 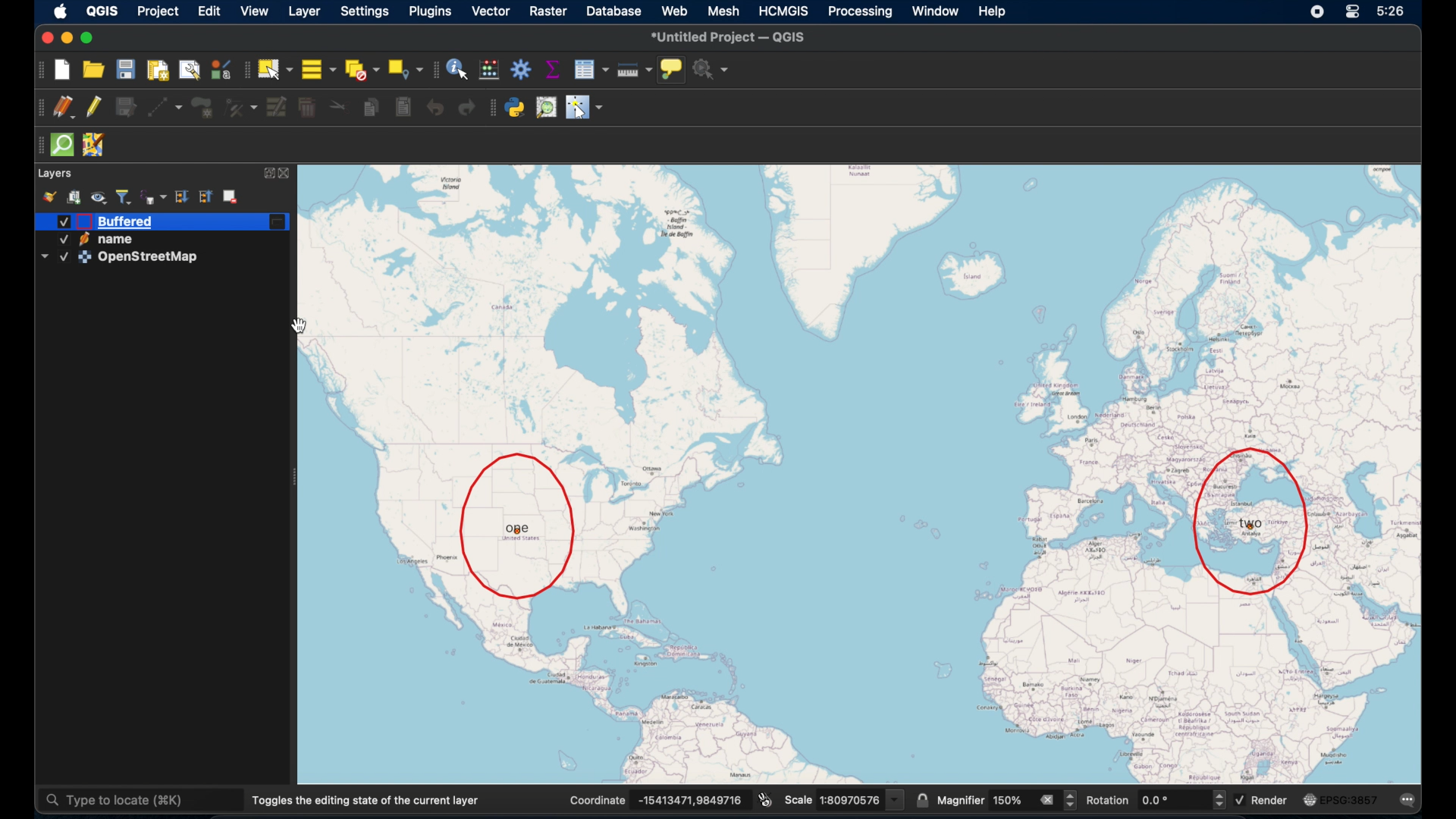 What do you see at coordinates (299, 325) in the screenshot?
I see `hand cursor` at bounding box center [299, 325].